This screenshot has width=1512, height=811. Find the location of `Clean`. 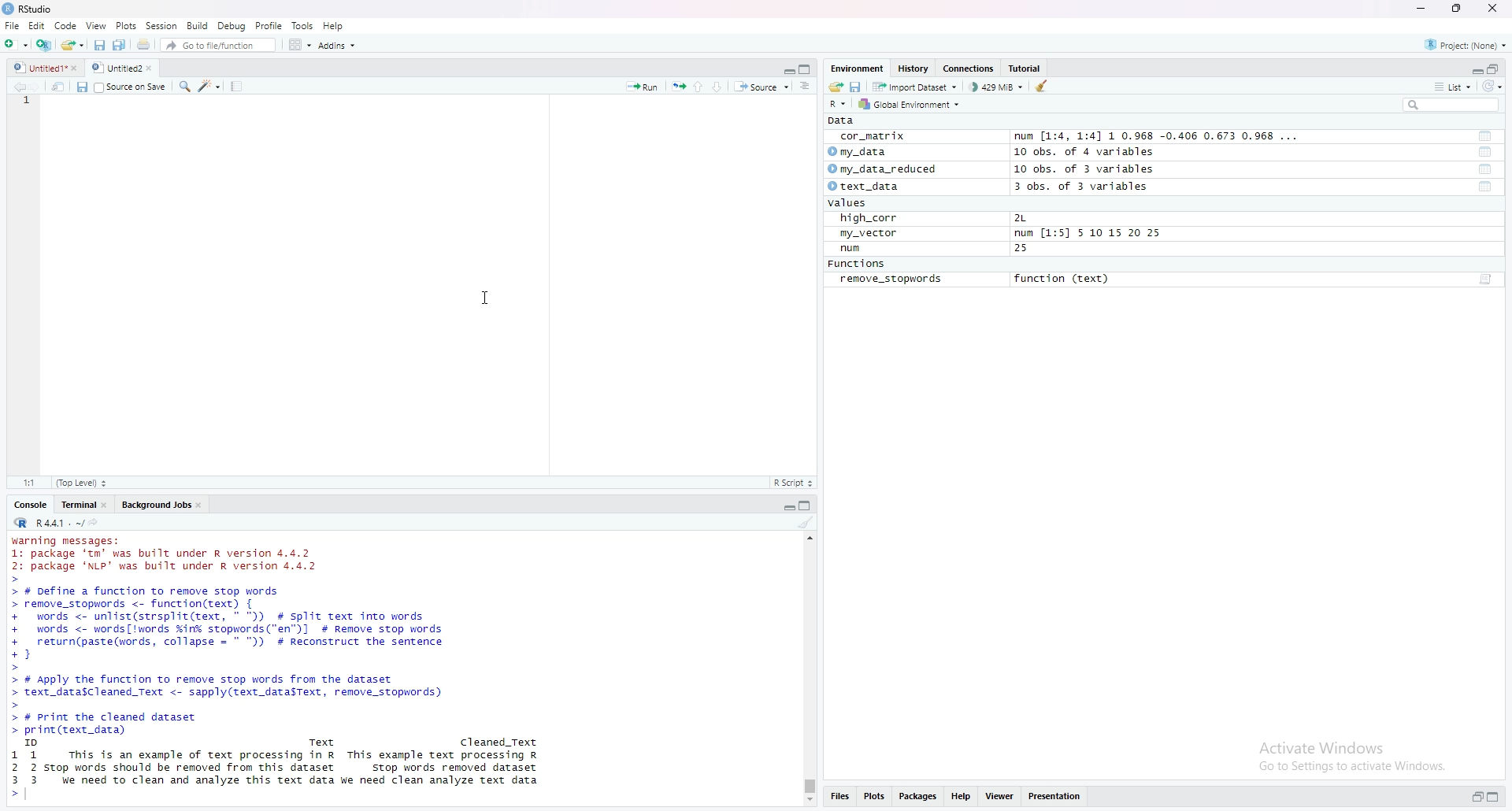

Clean is located at coordinates (1047, 86).